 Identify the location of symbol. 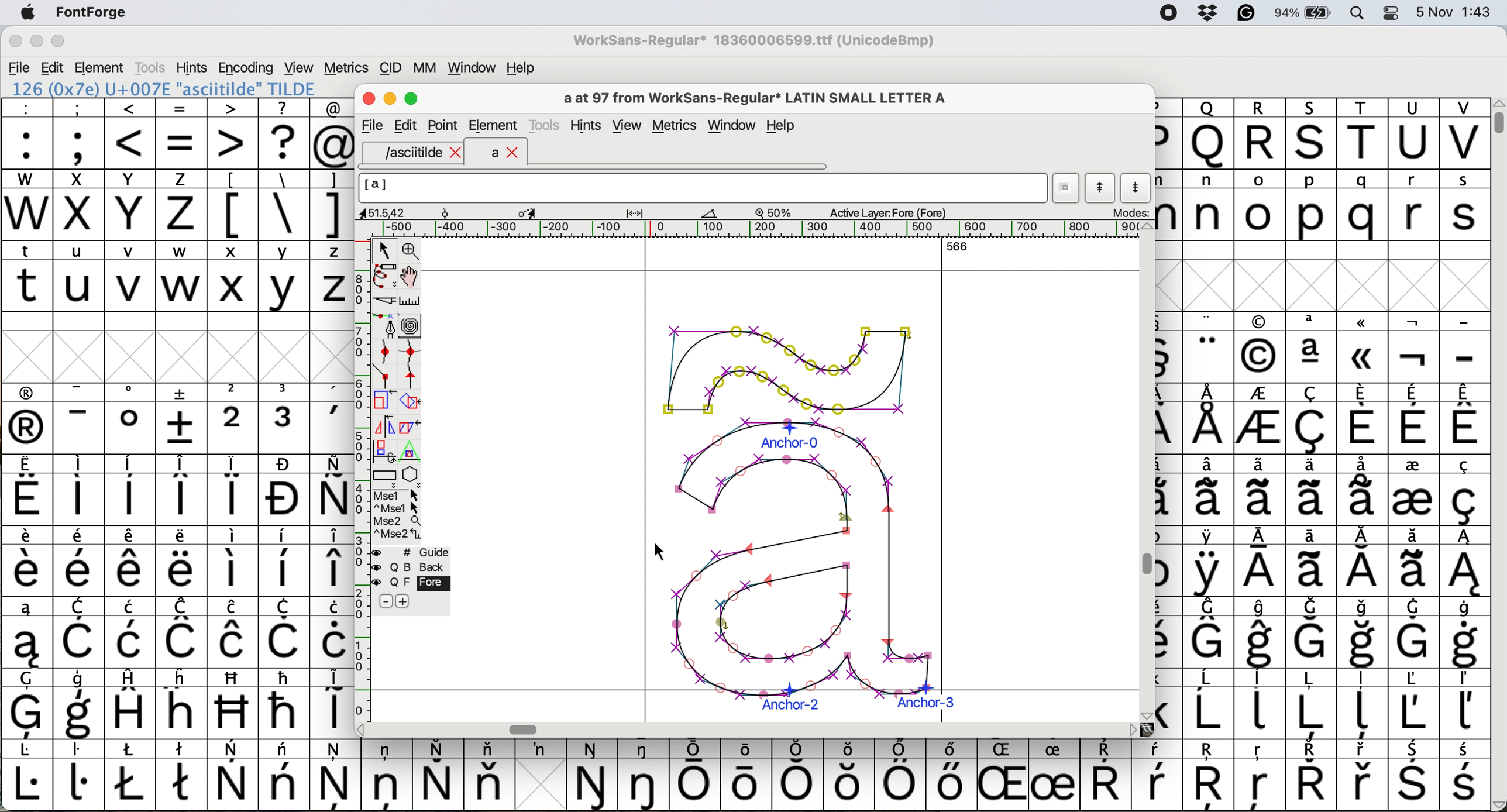
(232, 632).